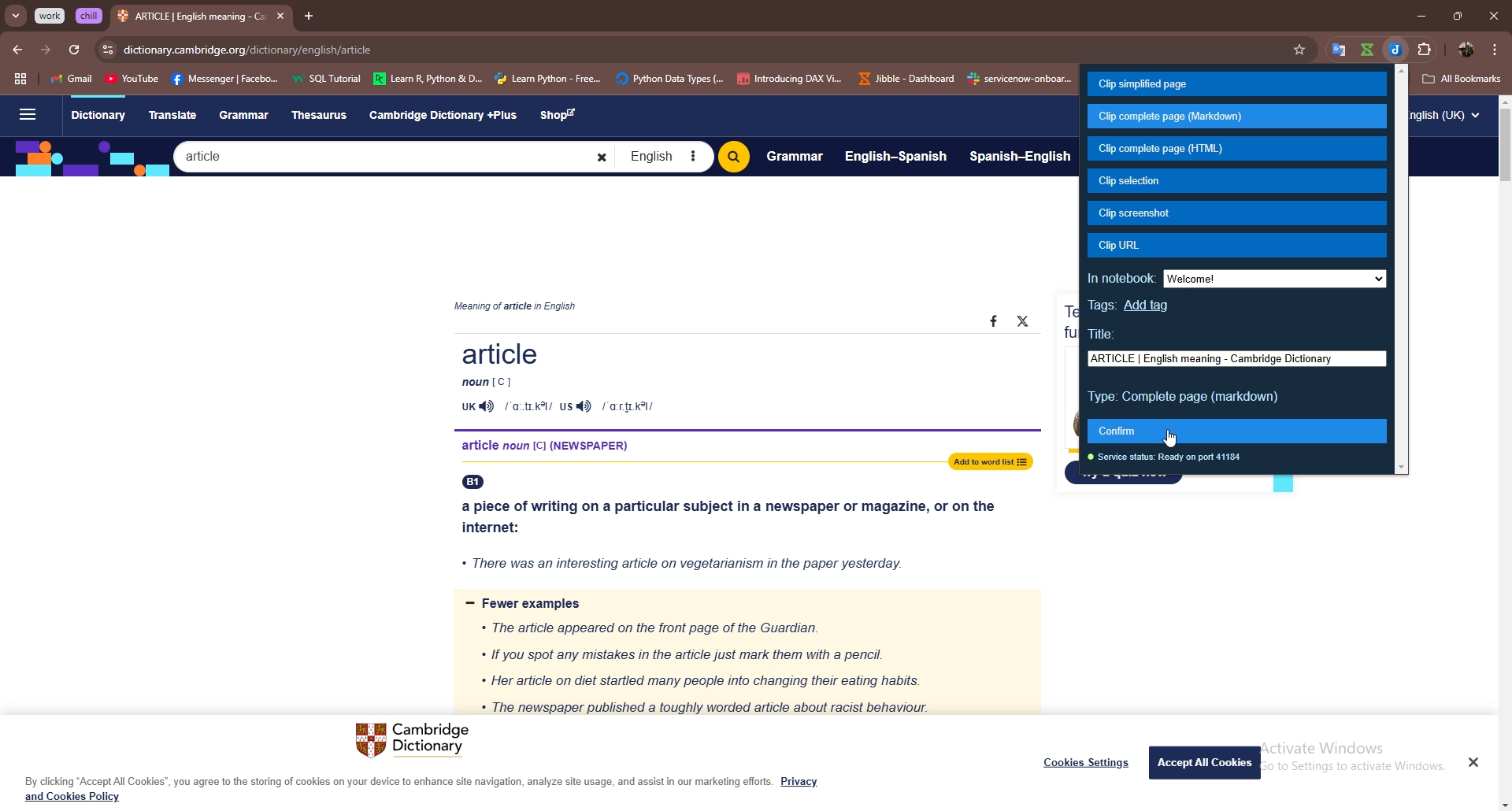 The image size is (1512, 811). I want to click on Grammar, so click(246, 115).